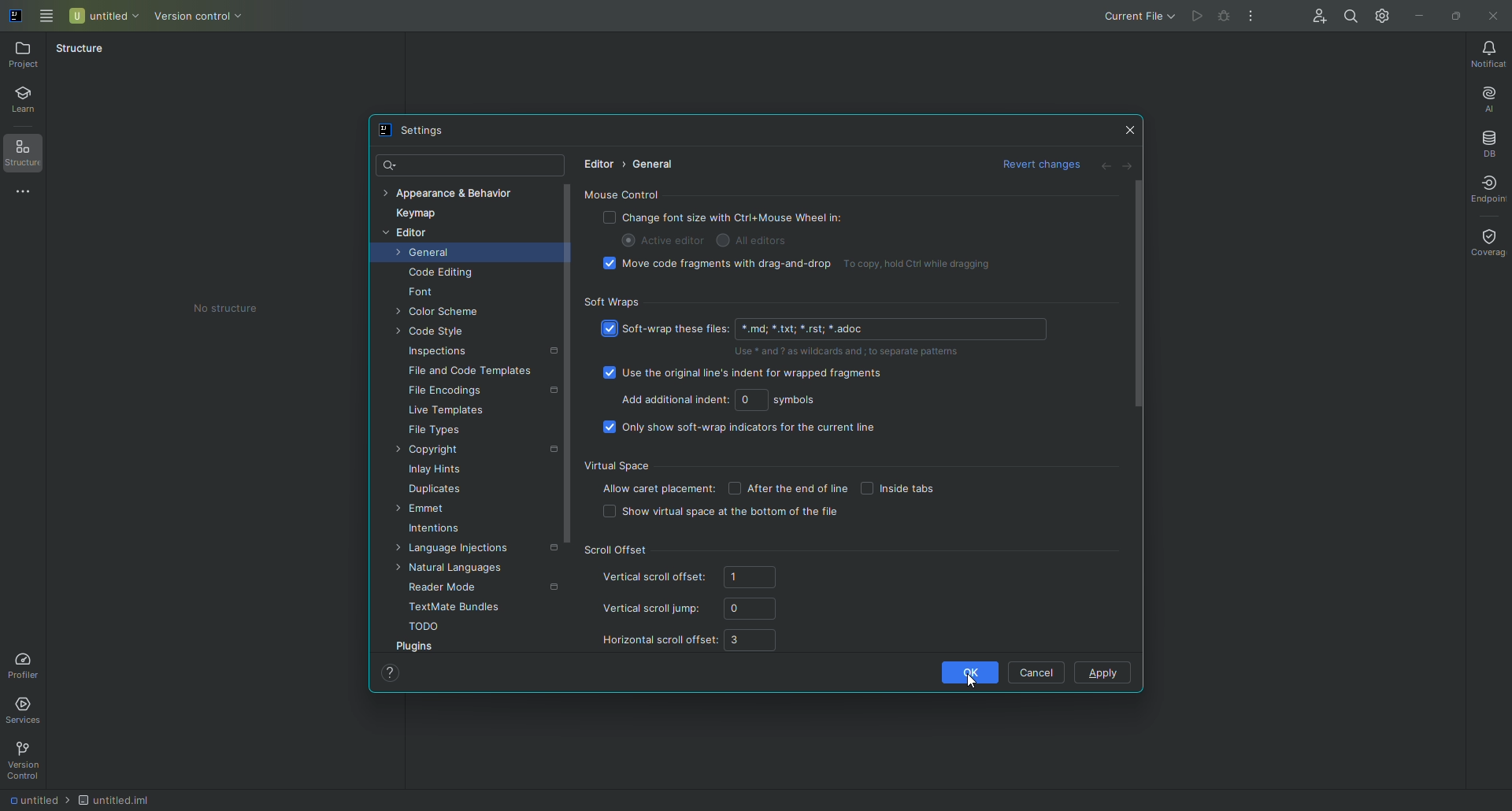 The width and height of the screenshot is (1512, 811). Describe the element at coordinates (979, 680) in the screenshot. I see `Cursor` at that location.